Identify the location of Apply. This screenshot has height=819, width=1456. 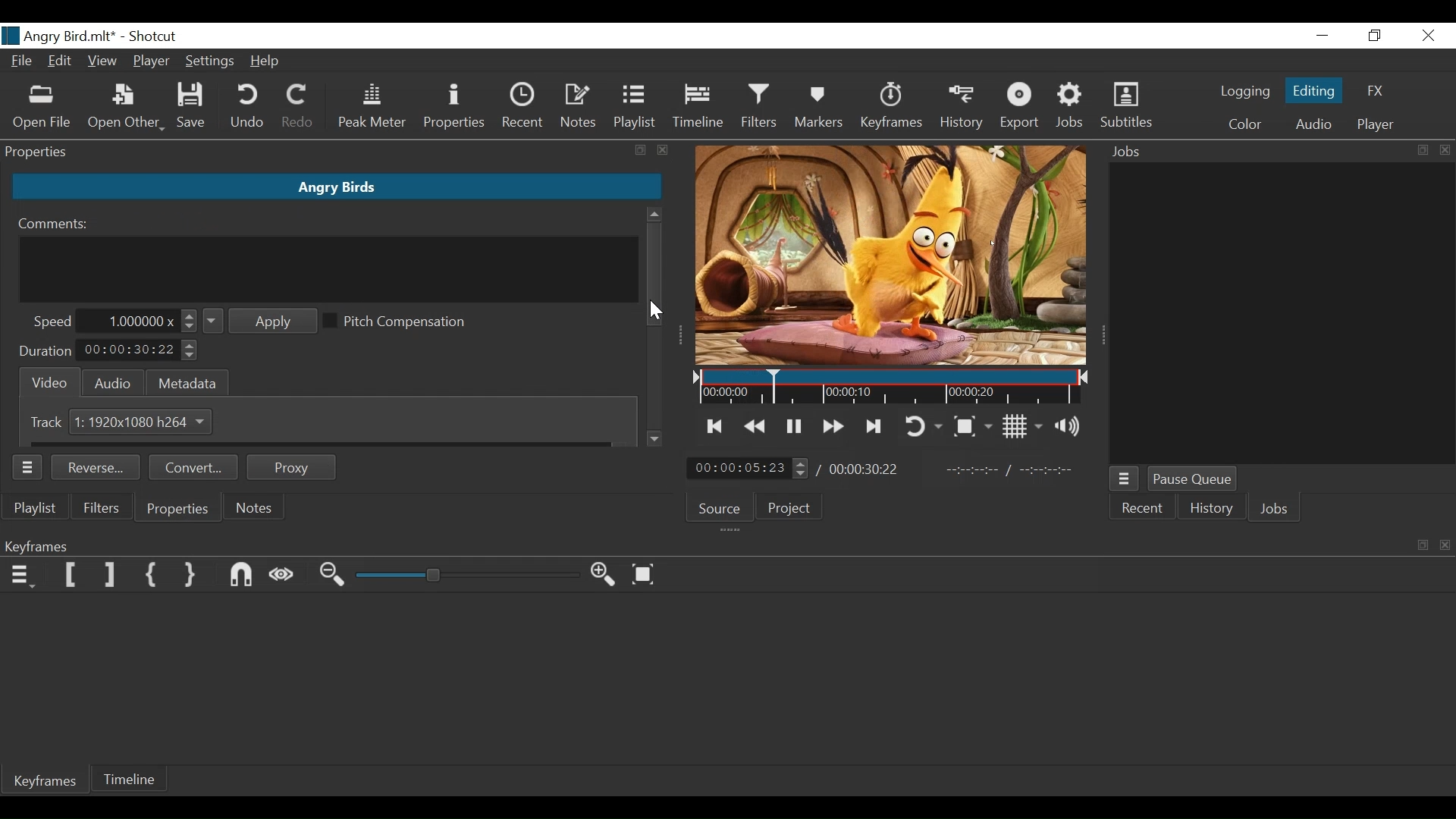
(262, 322).